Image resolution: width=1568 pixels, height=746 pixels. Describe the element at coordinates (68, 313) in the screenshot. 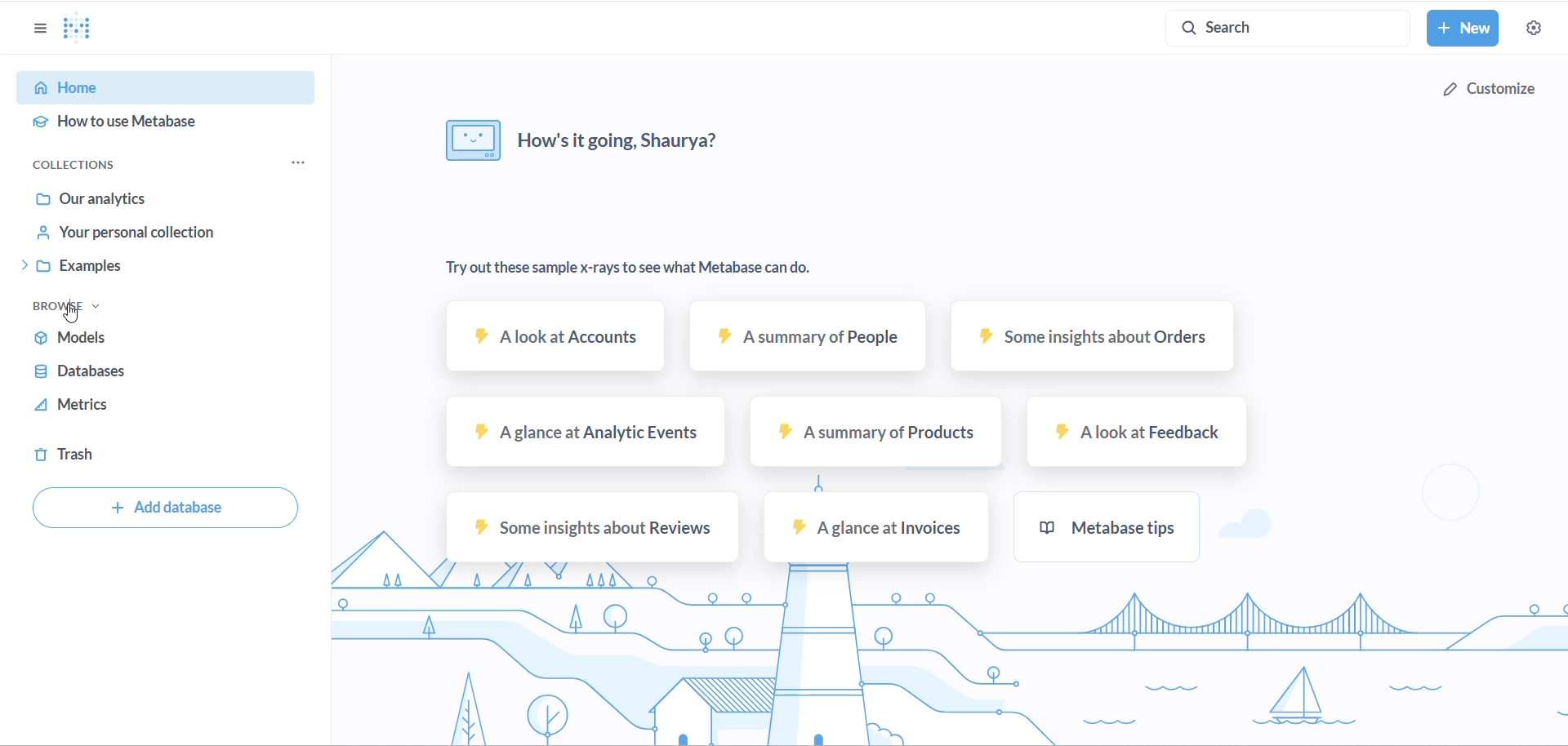

I see `cursor` at that location.